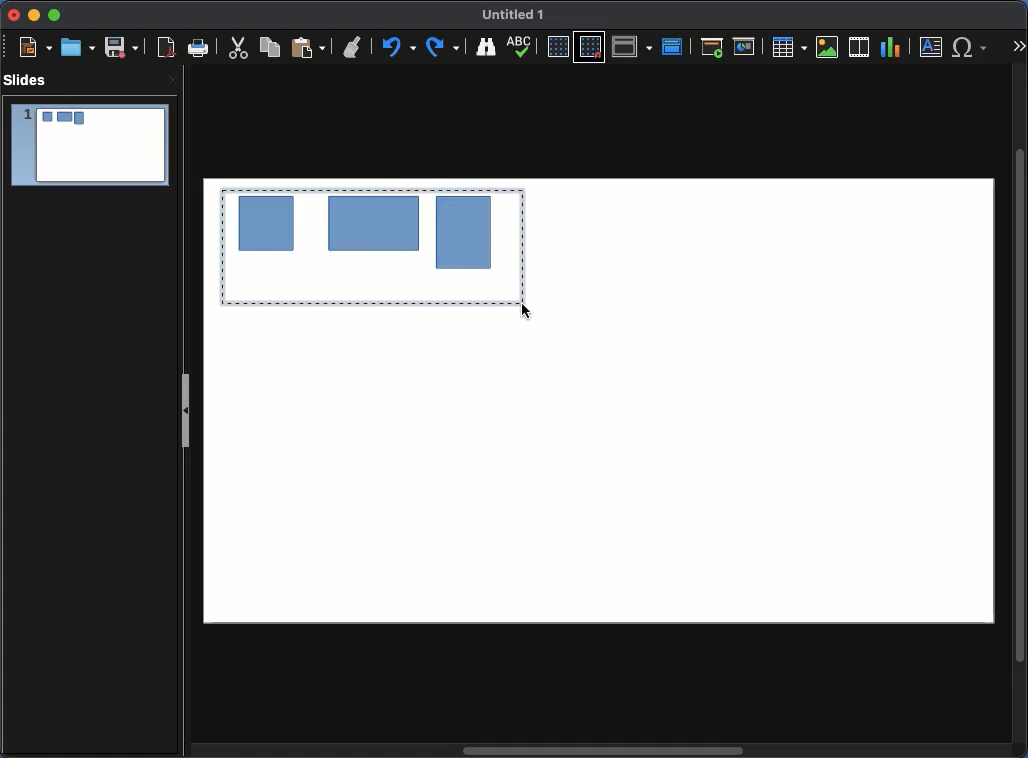  I want to click on Finder, so click(487, 47).